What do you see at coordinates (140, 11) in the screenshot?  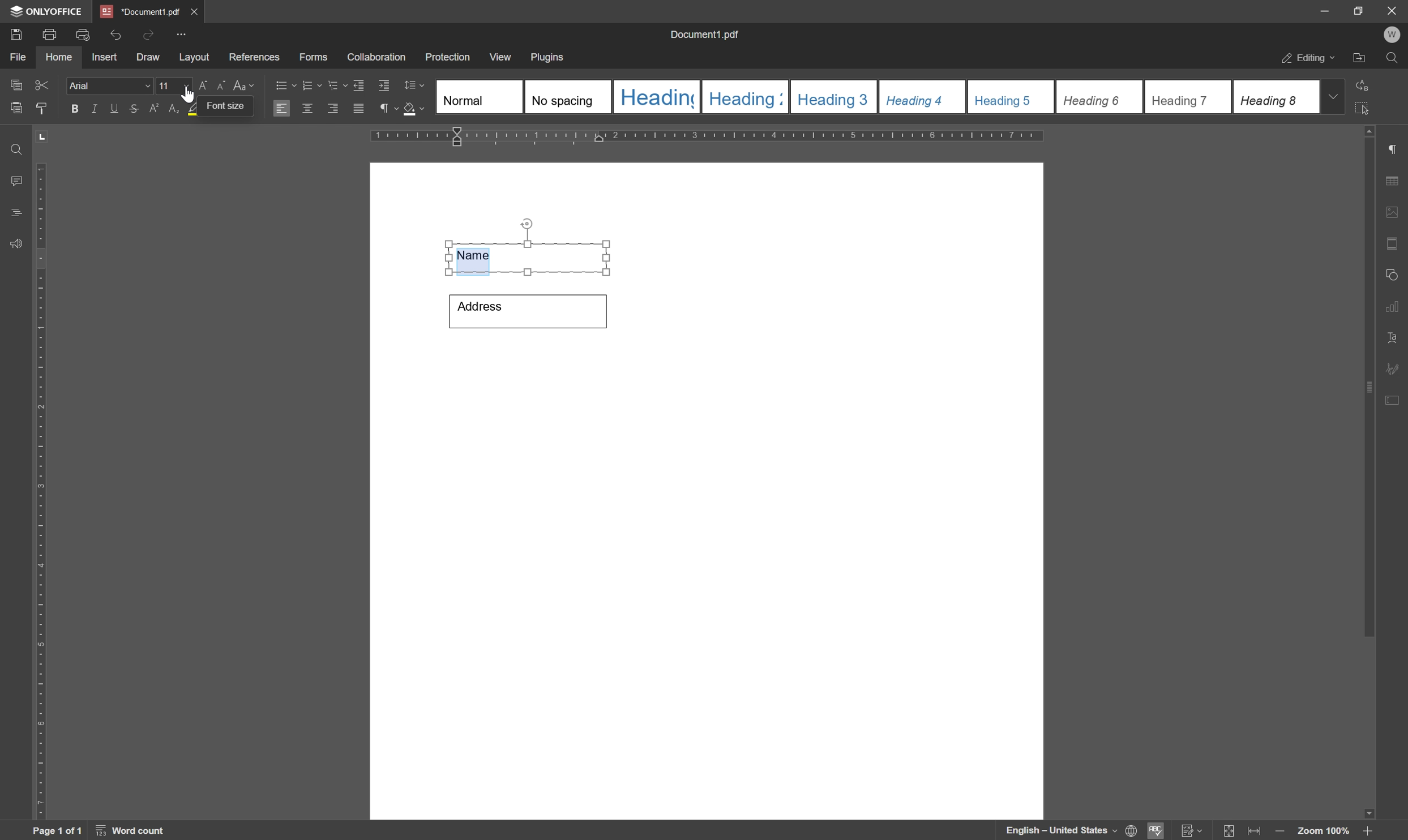 I see `*document1.pdf` at bounding box center [140, 11].